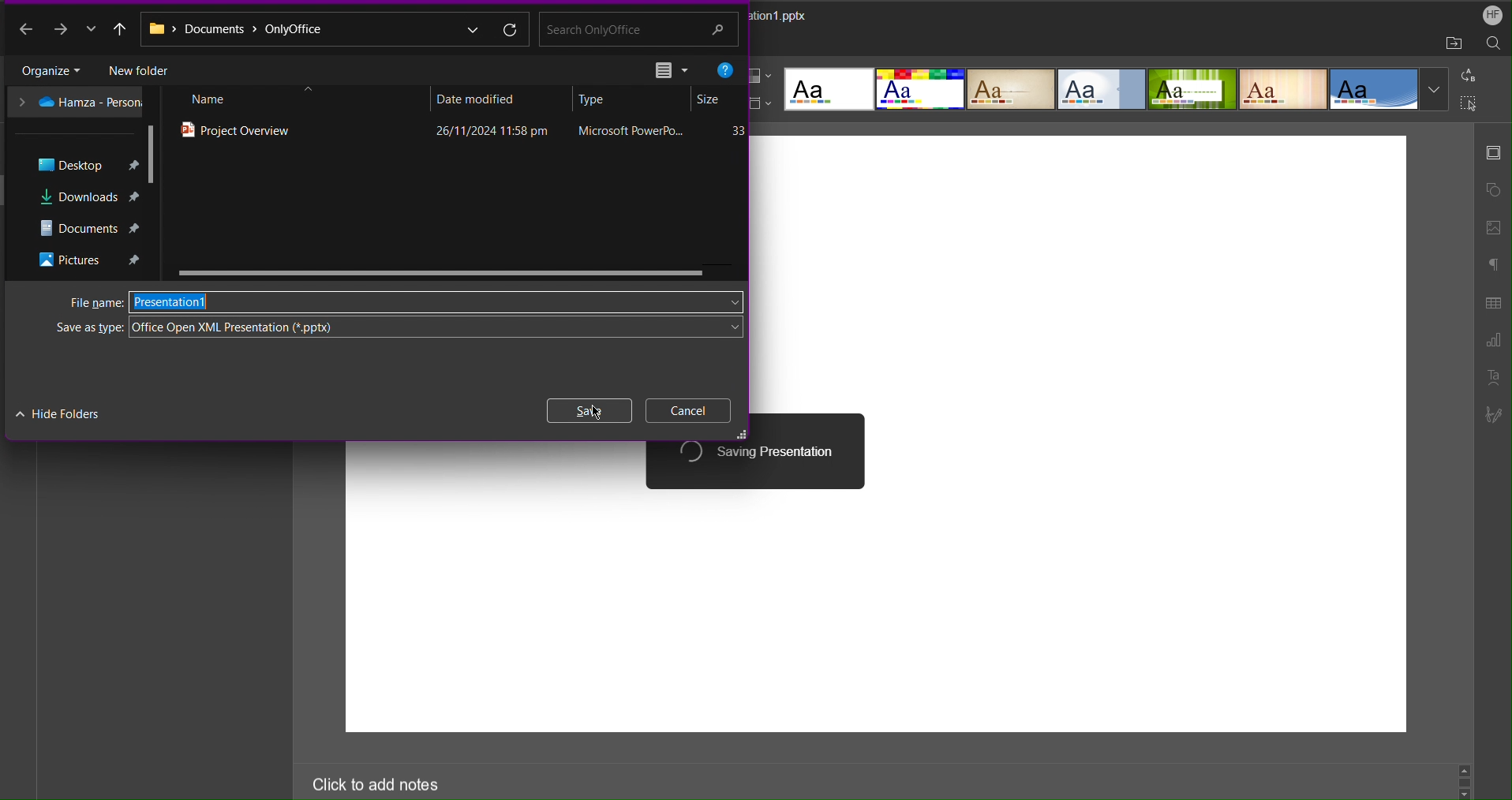 This screenshot has height=800, width=1512. What do you see at coordinates (84, 164) in the screenshot?
I see `Desktop` at bounding box center [84, 164].